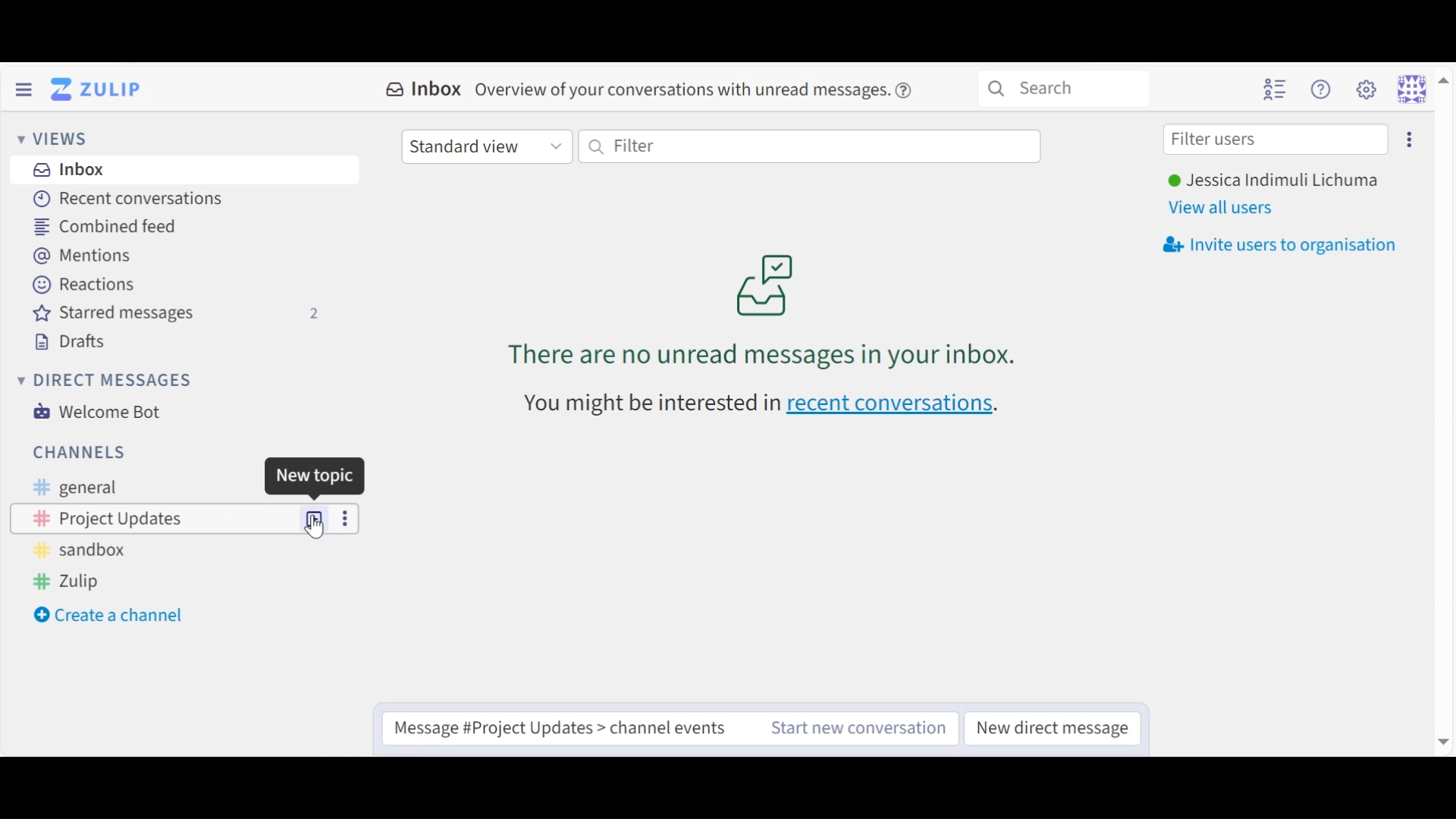  I want to click on Create a channel, so click(111, 617).